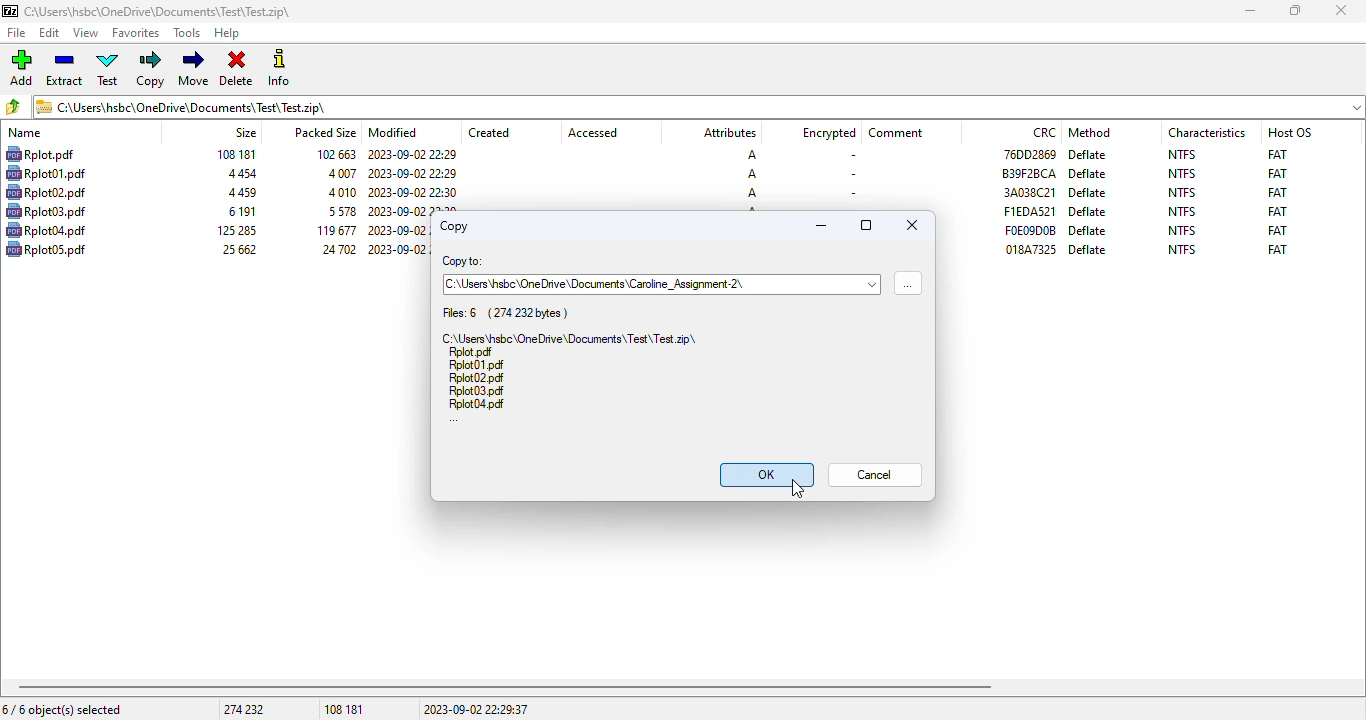 This screenshot has height=720, width=1366. Describe the element at coordinates (752, 209) in the screenshot. I see `A` at that location.